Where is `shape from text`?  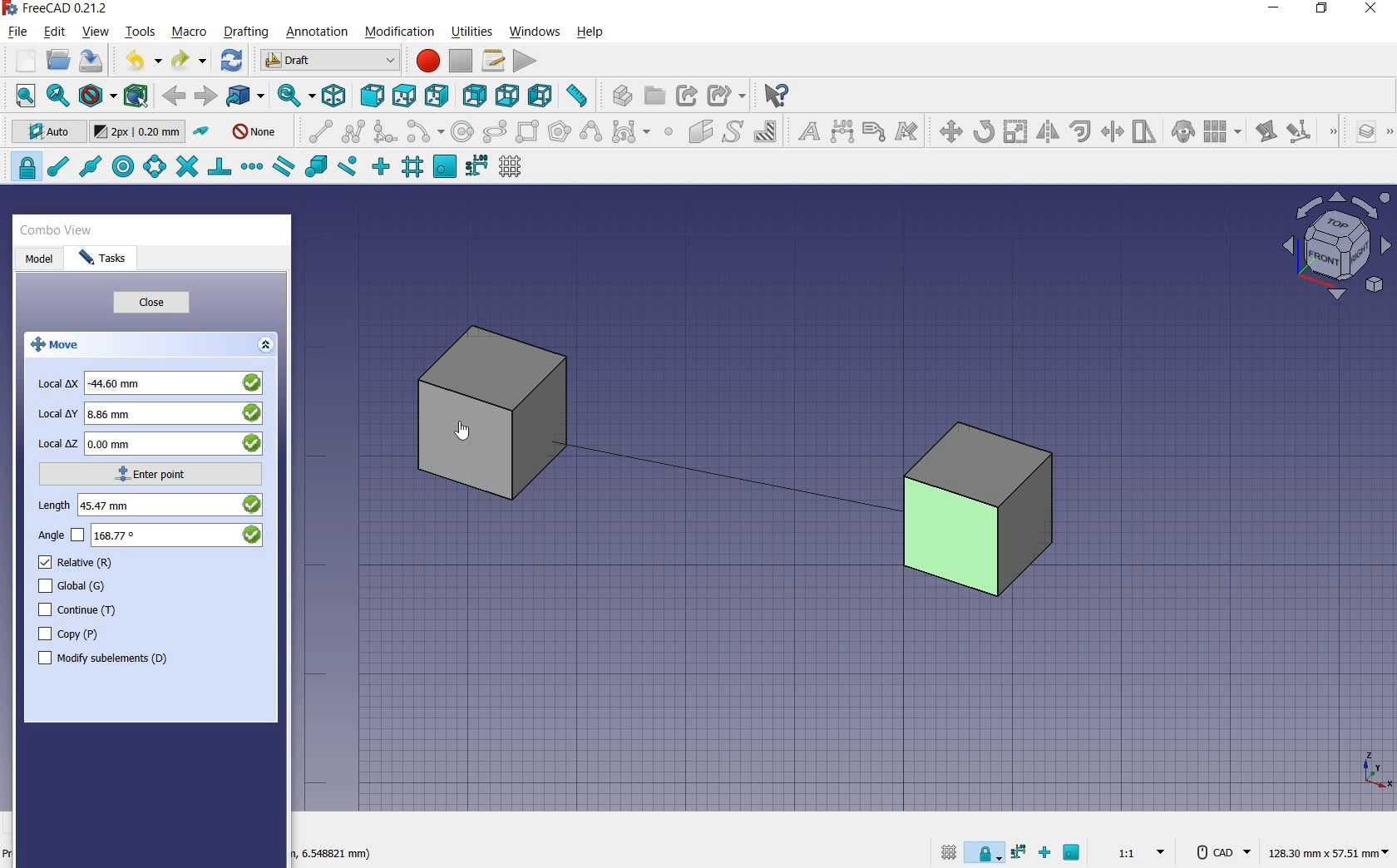 shape from text is located at coordinates (734, 131).